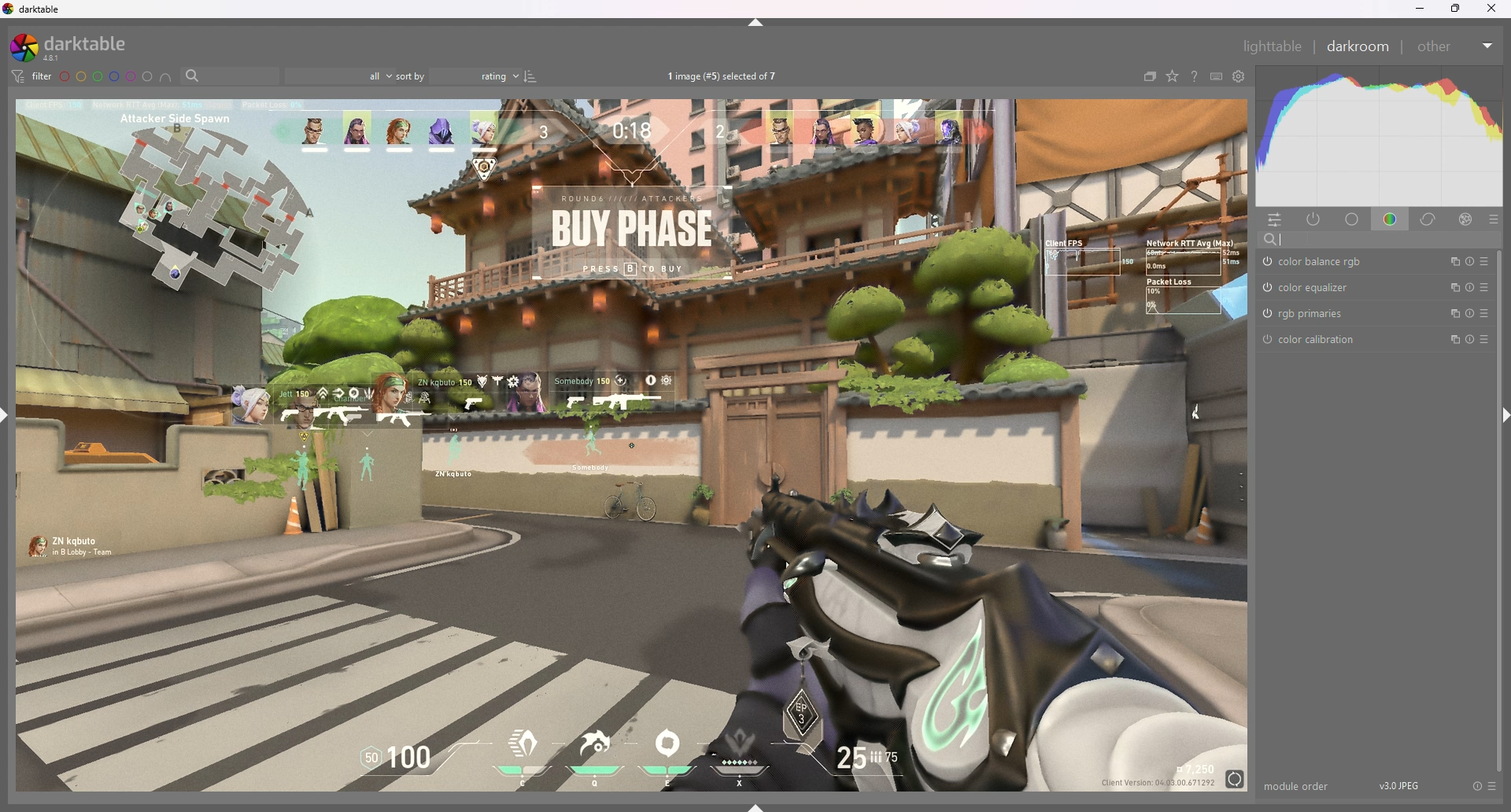  What do you see at coordinates (33, 76) in the screenshot?
I see `filter` at bounding box center [33, 76].